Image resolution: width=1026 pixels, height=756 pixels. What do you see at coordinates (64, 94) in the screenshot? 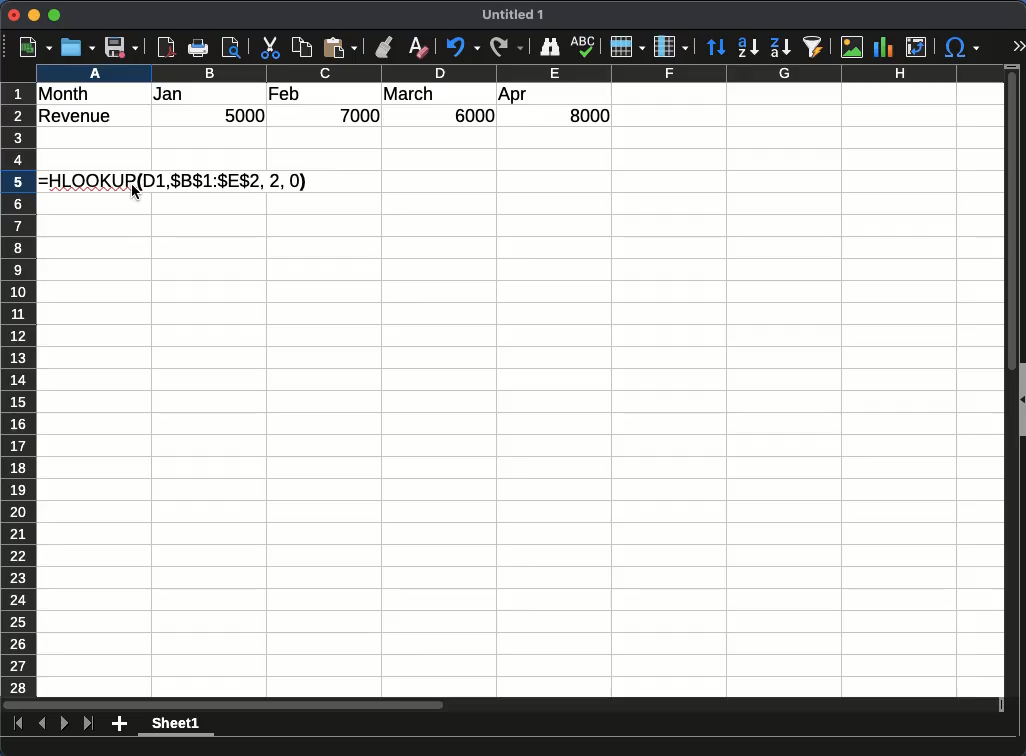
I see `month` at bounding box center [64, 94].